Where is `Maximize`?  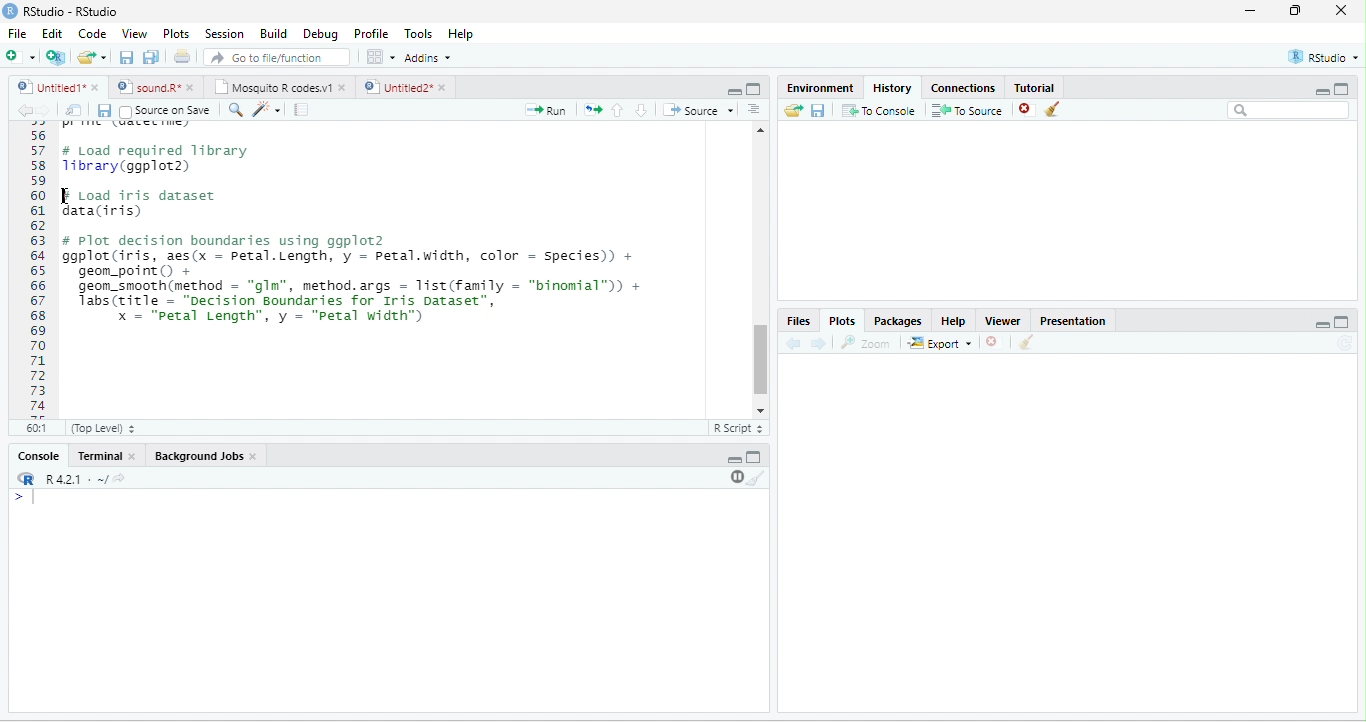
Maximize is located at coordinates (754, 457).